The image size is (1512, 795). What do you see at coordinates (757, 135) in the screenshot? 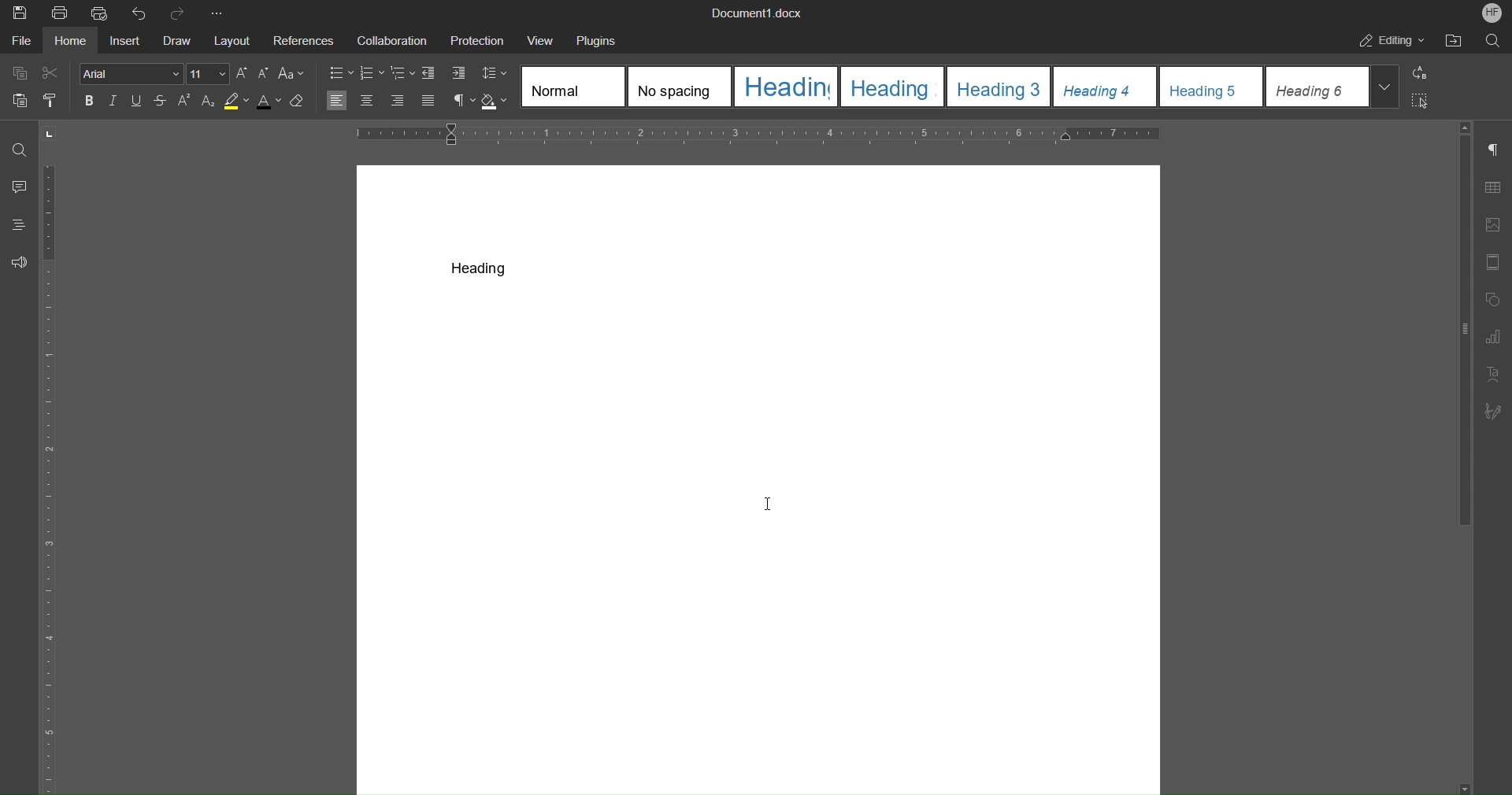
I see `Horizontal Ruler` at bounding box center [757, 135].